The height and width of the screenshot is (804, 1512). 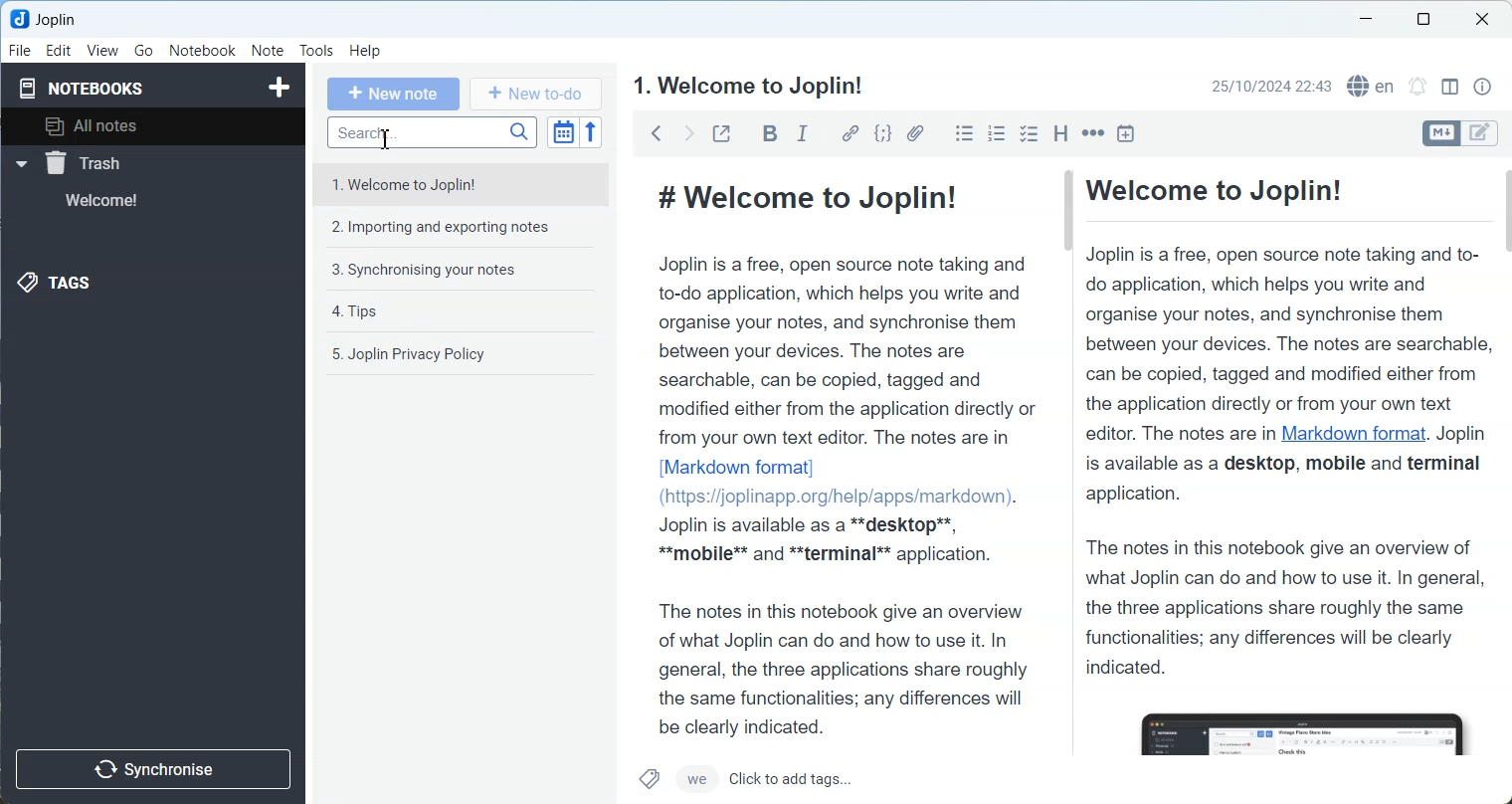 What do you see at coordinates (17, 20) in the screenshot?
I see `joplin logo` at bounding box center [17, 20].